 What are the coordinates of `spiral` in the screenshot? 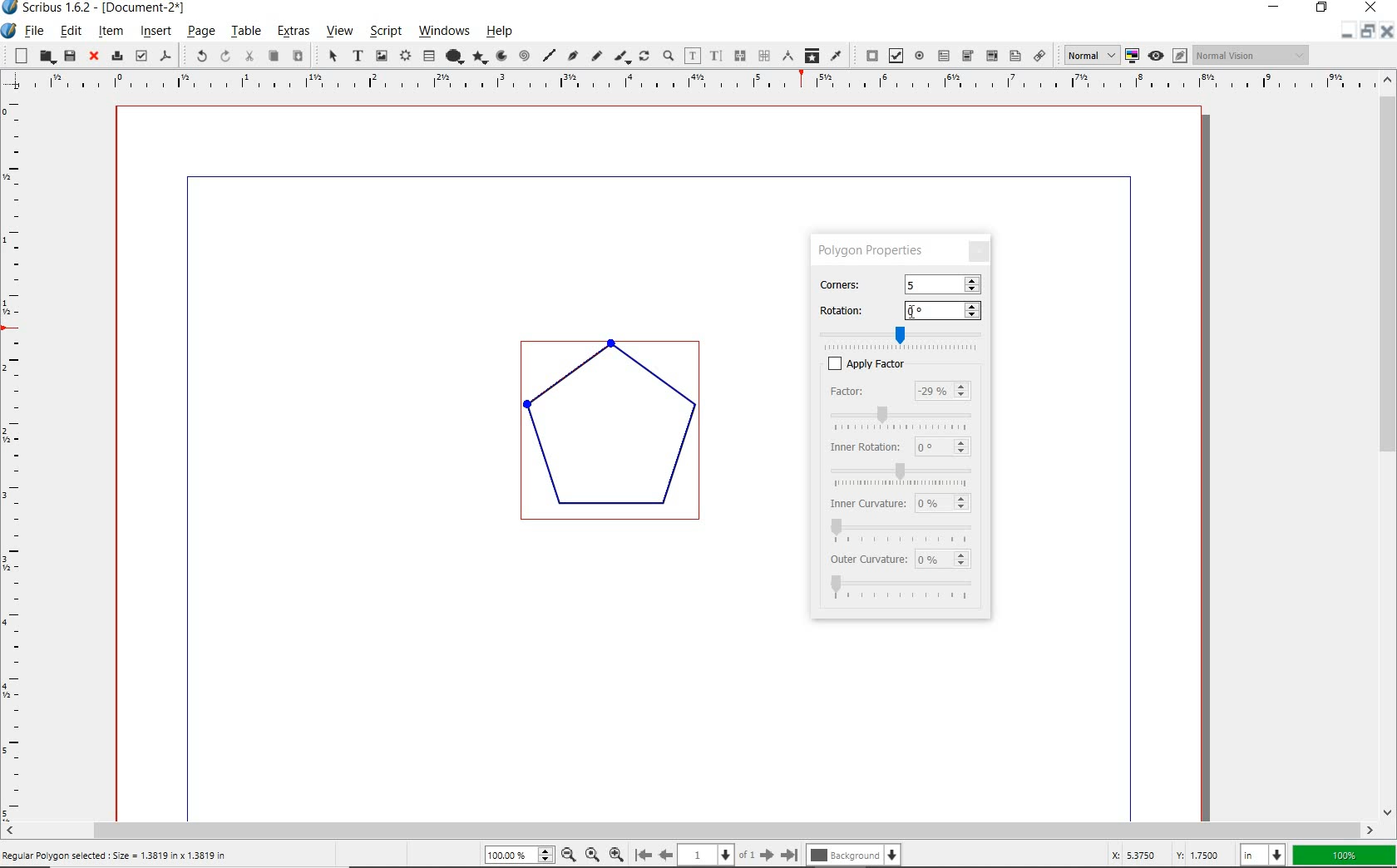 It's located at (525, 53).